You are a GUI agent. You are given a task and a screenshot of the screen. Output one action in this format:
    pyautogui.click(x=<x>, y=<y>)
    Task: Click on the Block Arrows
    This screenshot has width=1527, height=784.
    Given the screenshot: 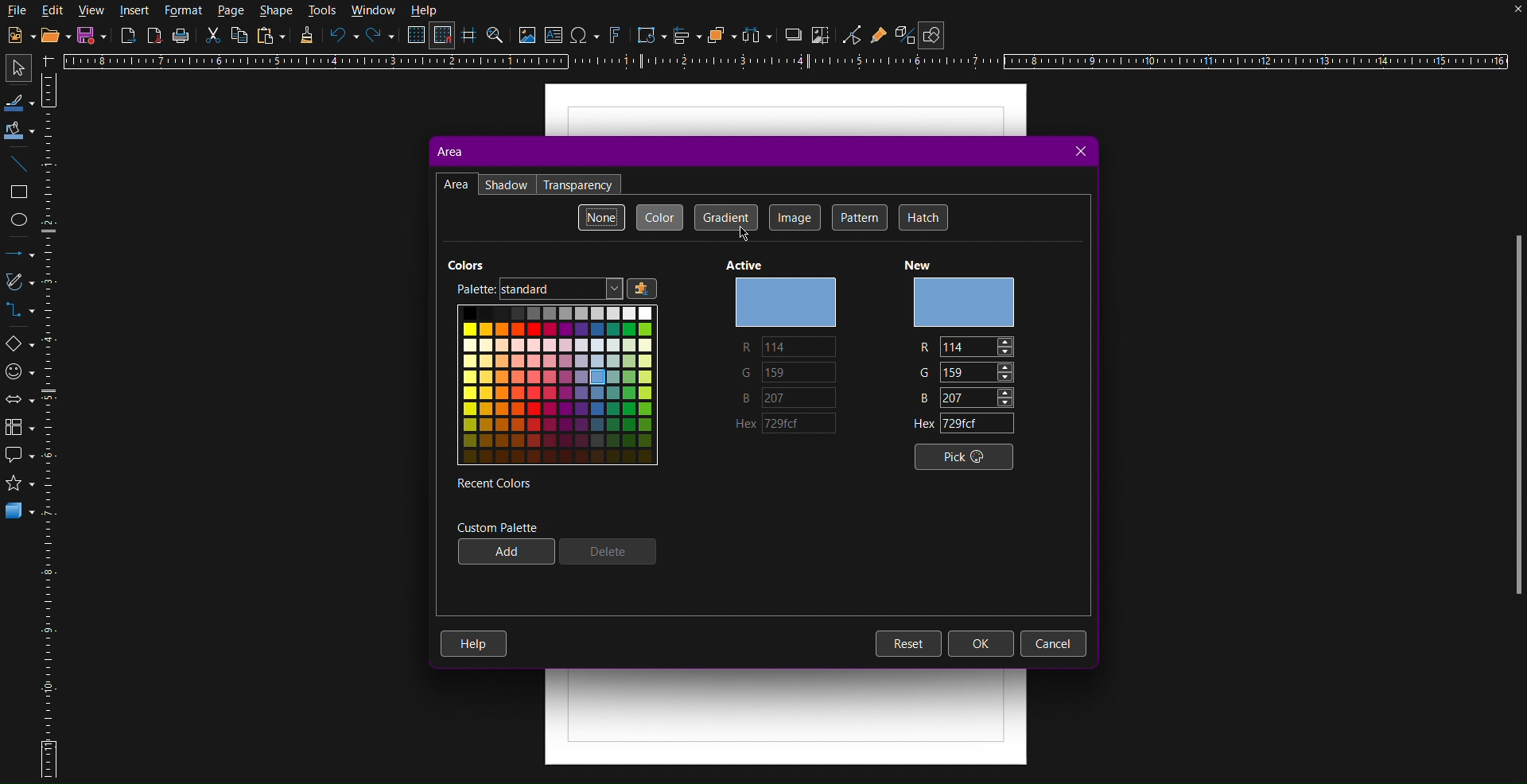 What is the action you would take?
    pyautogui.click(x=19, y=400)
    